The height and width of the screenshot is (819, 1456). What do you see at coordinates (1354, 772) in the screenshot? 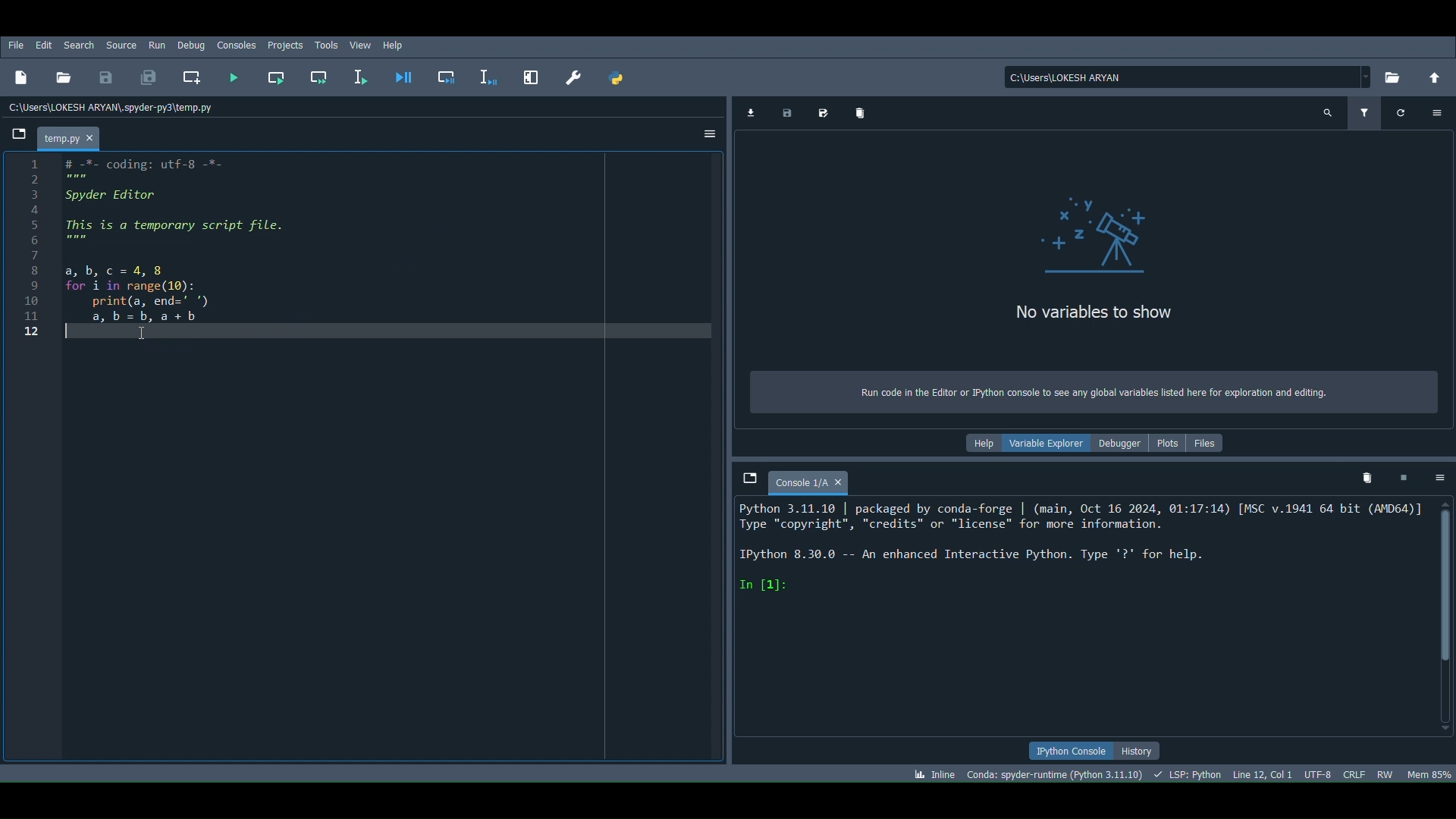
I see `File EOL Status` at bounding box center [1354, 772].